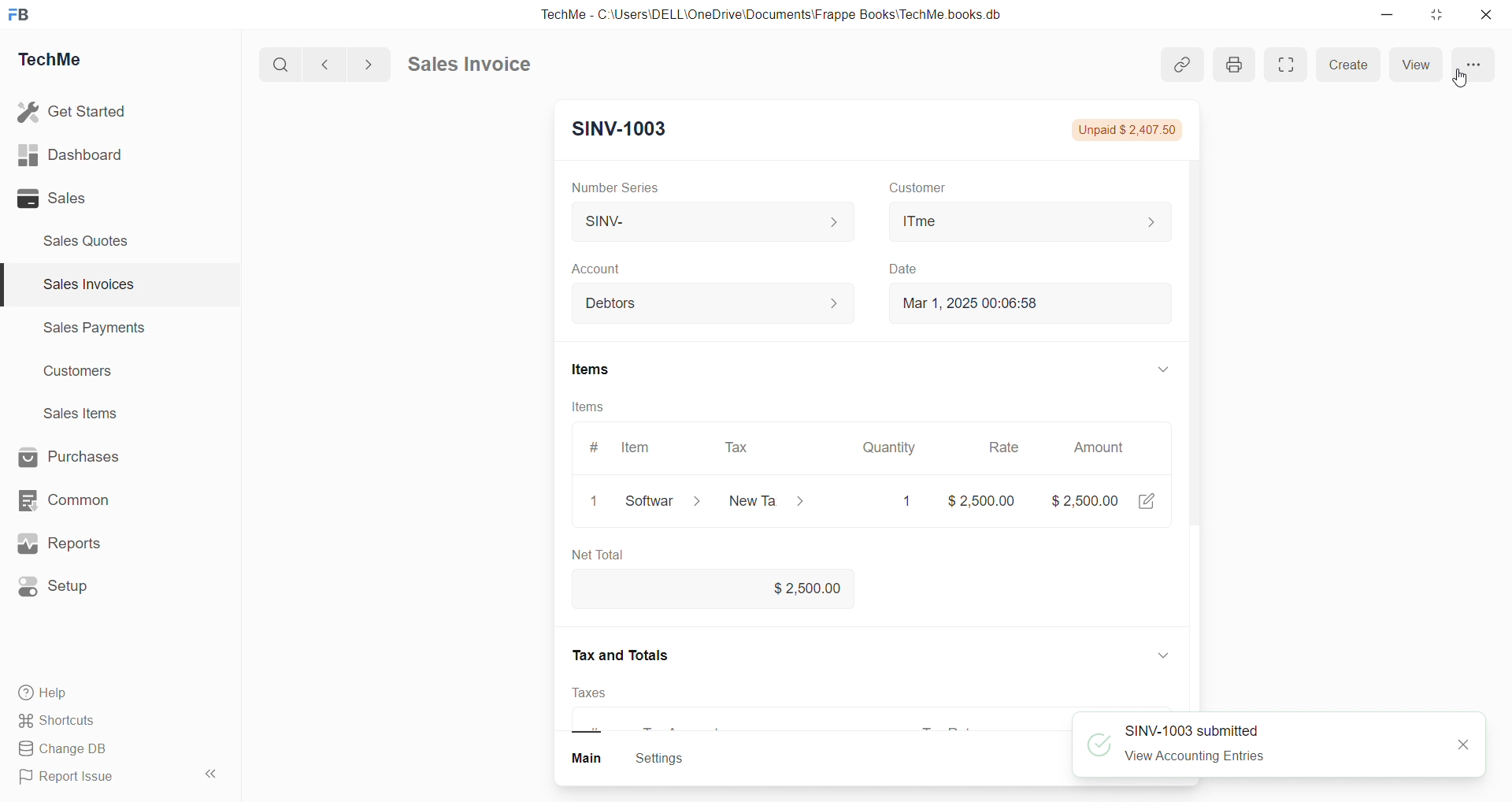  What do you see at coordinates (602, 693) in the screenshot?
I see `Taxes` at bounding box center [602, 693].